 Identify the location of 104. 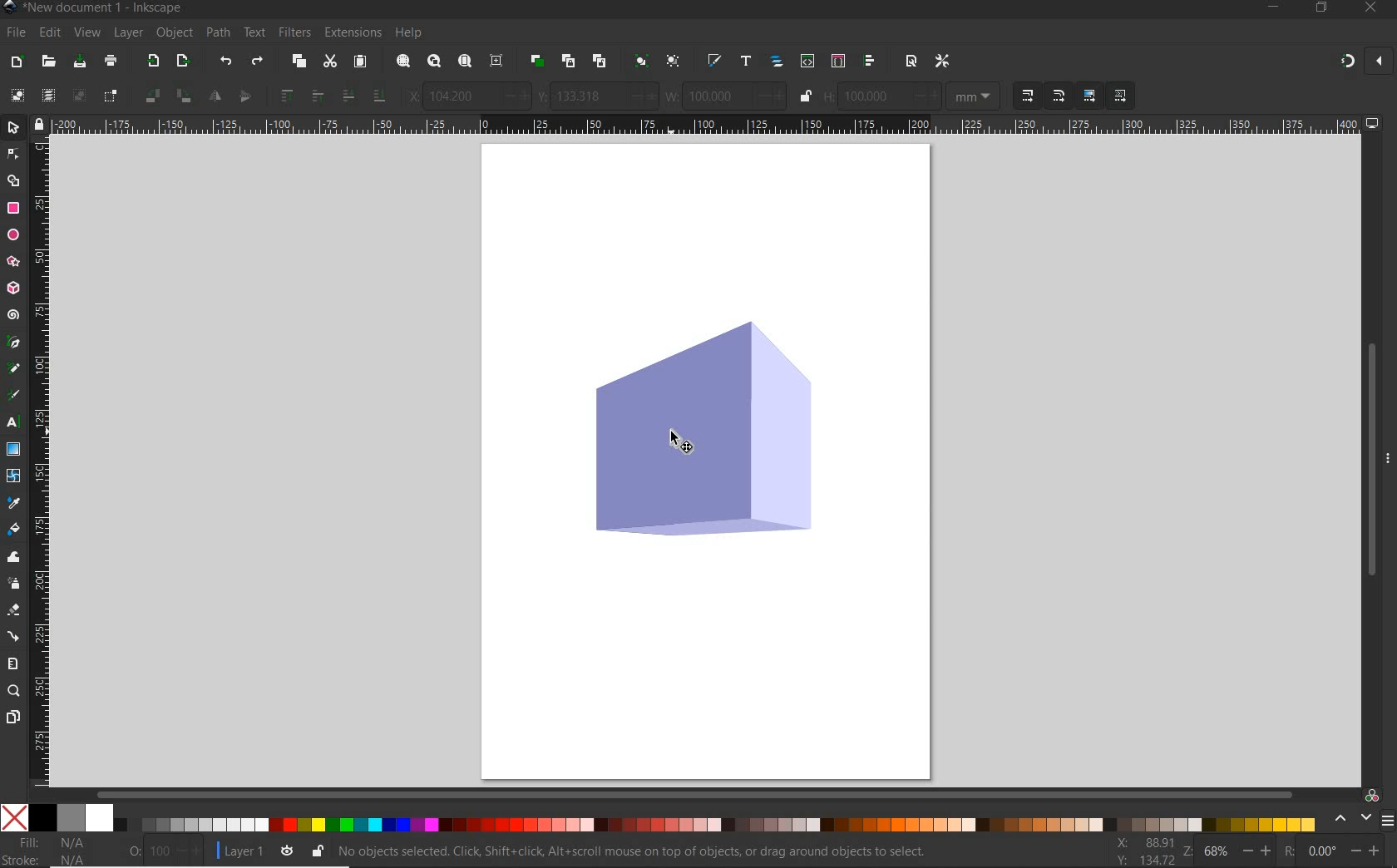
(458, 96).